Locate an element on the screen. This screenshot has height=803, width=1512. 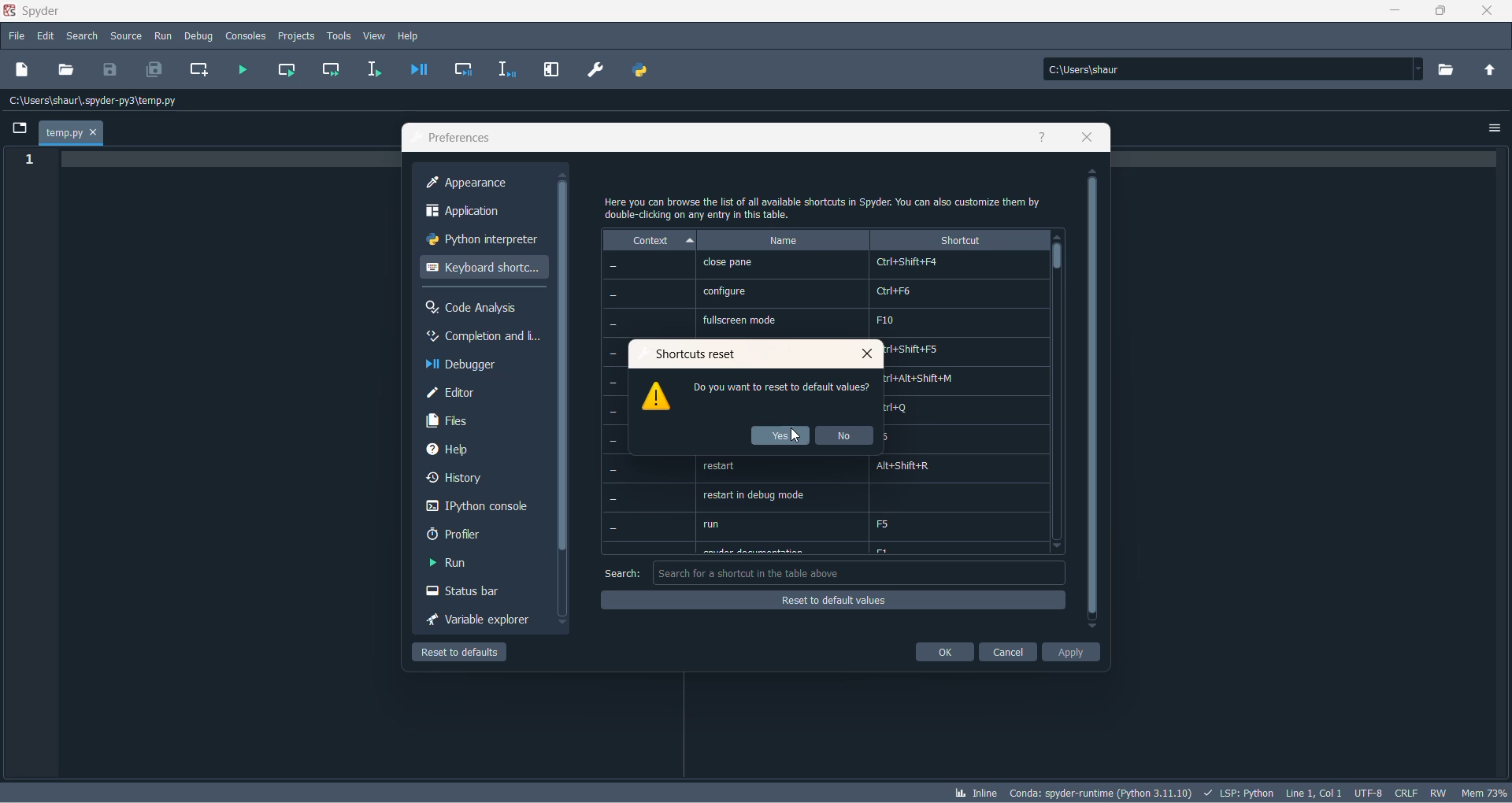
no is located at coordinates (844, 435).